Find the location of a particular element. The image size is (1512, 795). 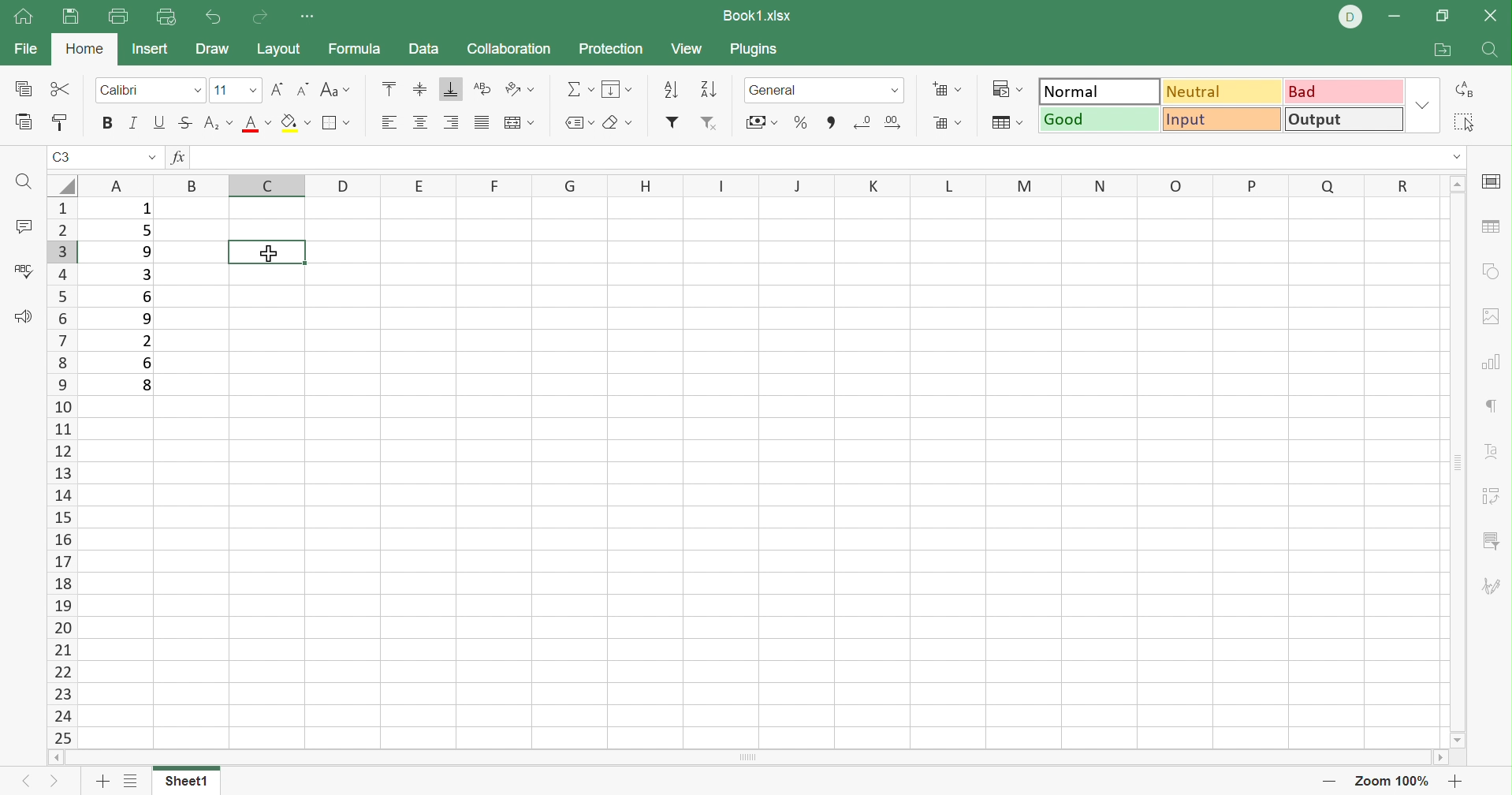

Increase decimal is located at coordinates (896, 120).